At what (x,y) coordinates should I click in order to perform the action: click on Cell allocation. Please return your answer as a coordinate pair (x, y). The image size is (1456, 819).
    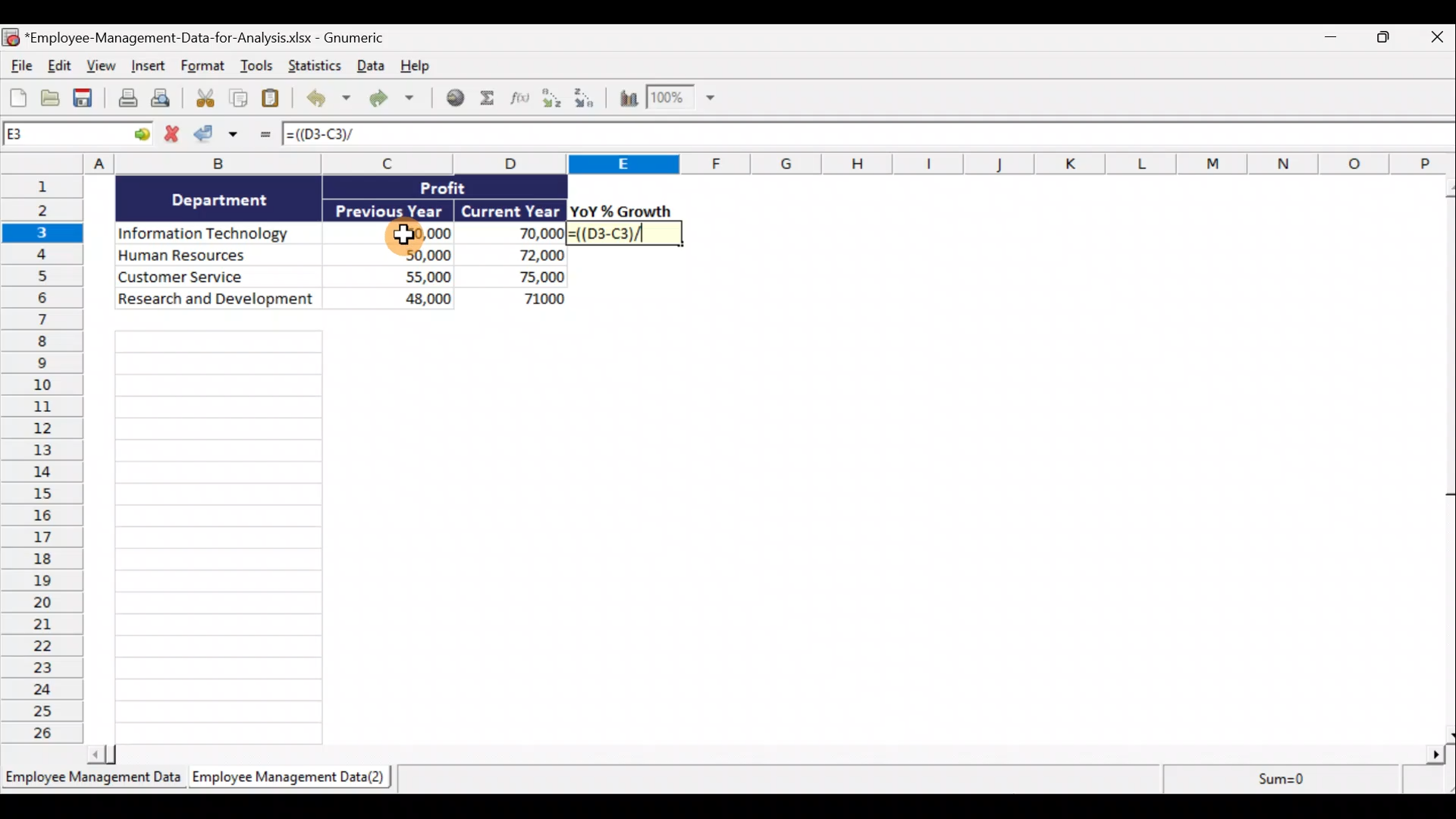
    Looking at the image, I should click on (79, 136).